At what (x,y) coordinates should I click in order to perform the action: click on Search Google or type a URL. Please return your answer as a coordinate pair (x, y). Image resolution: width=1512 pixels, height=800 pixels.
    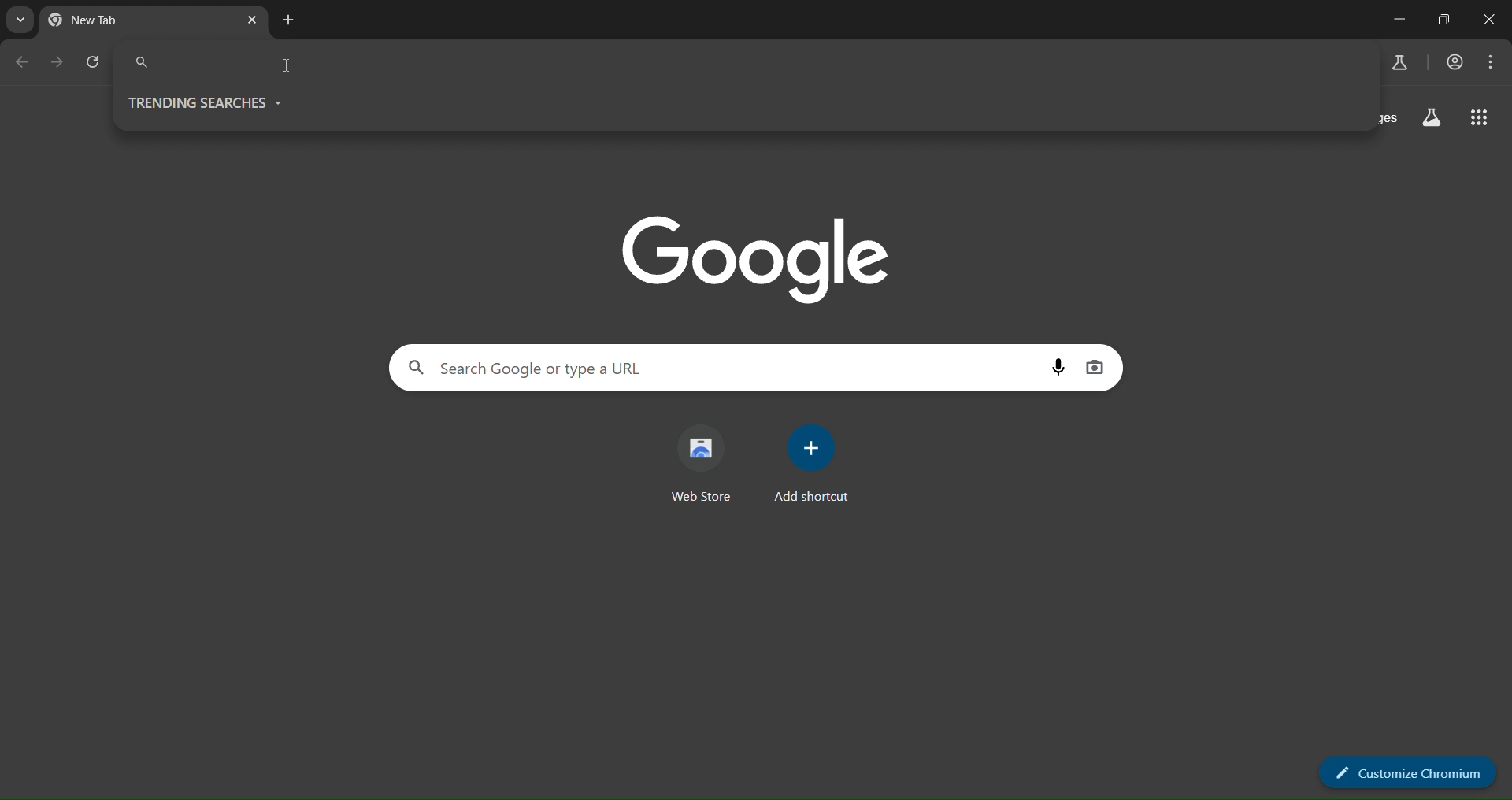
    Looking at the image, I should click on (745, 61).